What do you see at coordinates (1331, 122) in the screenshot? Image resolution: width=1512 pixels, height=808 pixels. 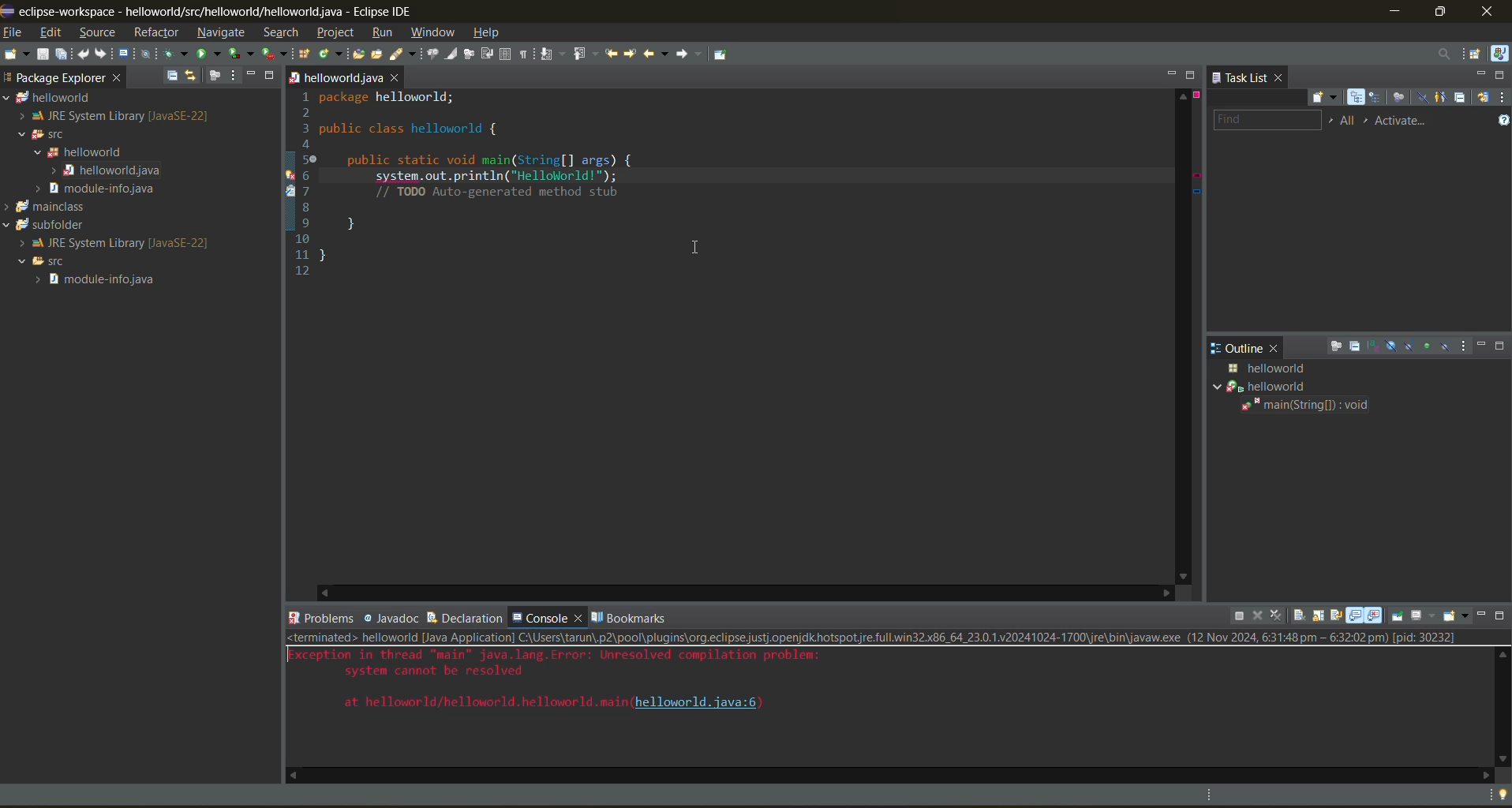 I see `select working set` at bounding box center [1331, 122].